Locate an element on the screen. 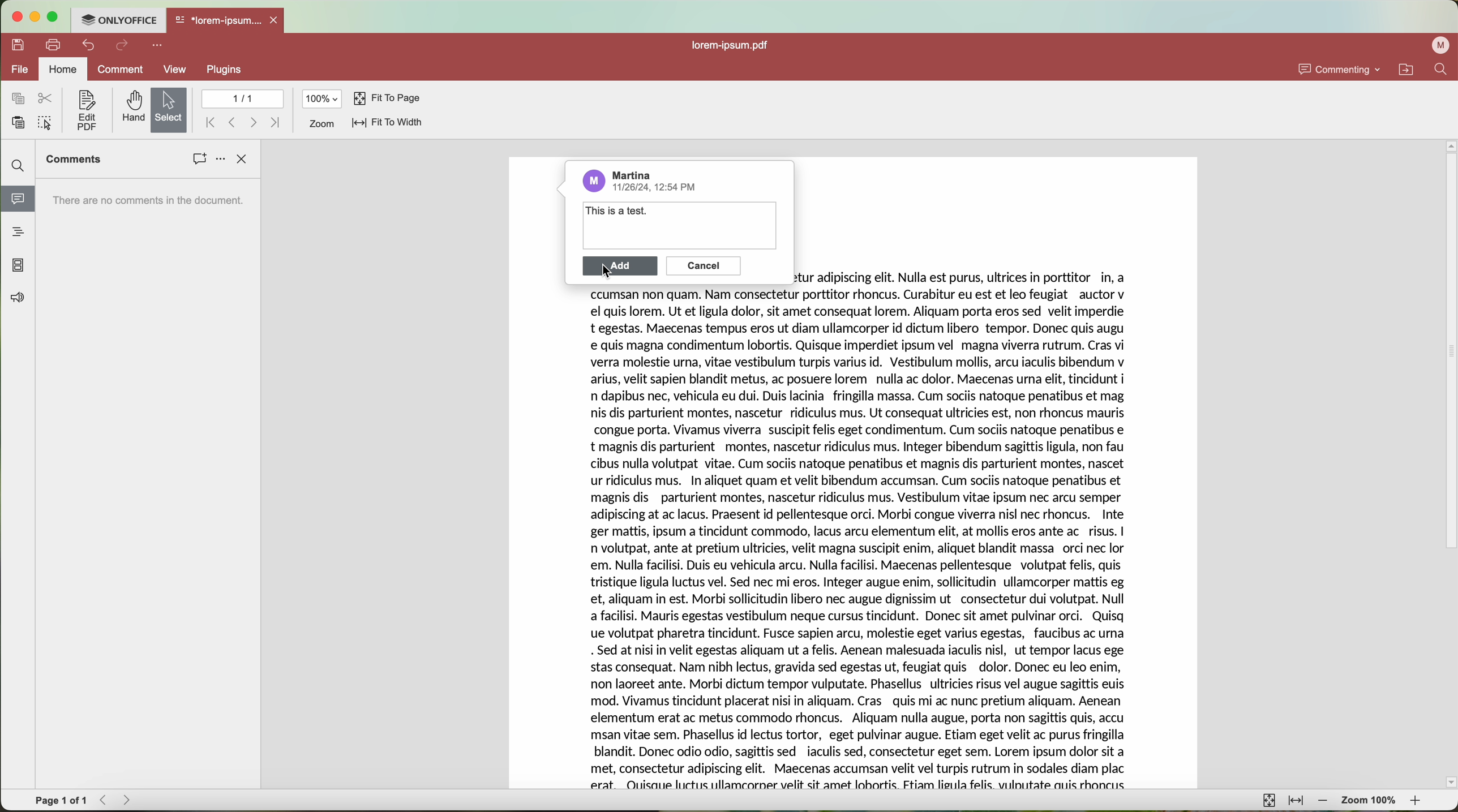 The width and height of the screenshot is (1458, 812). selected is located at coordinates (170, 110).